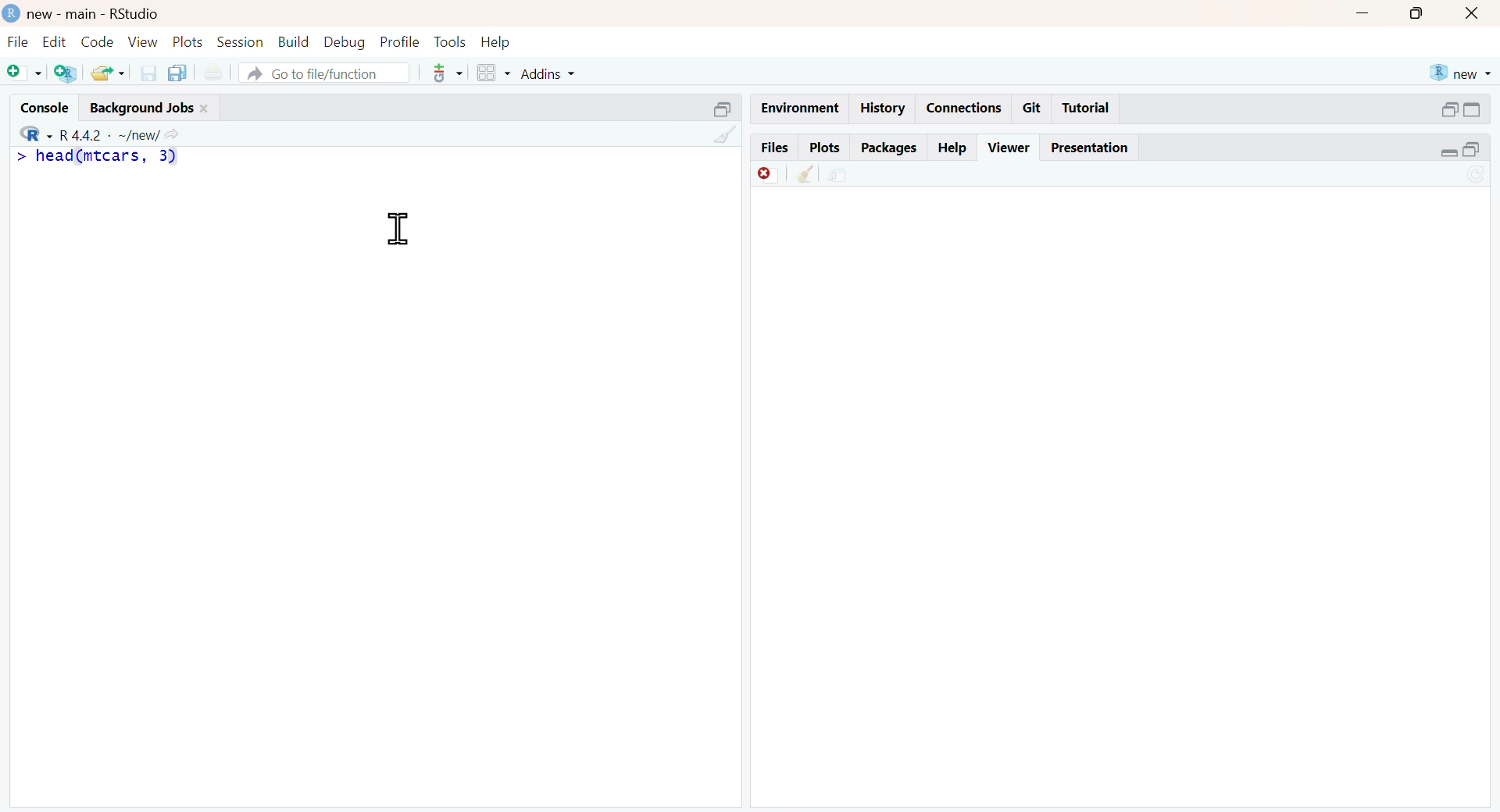 This screenshot has width=1500, height=812. What do you see at coordinates (1460, 150) in the screenshot?
I see `minimize/maximize` at bounding box center [1460, 150].